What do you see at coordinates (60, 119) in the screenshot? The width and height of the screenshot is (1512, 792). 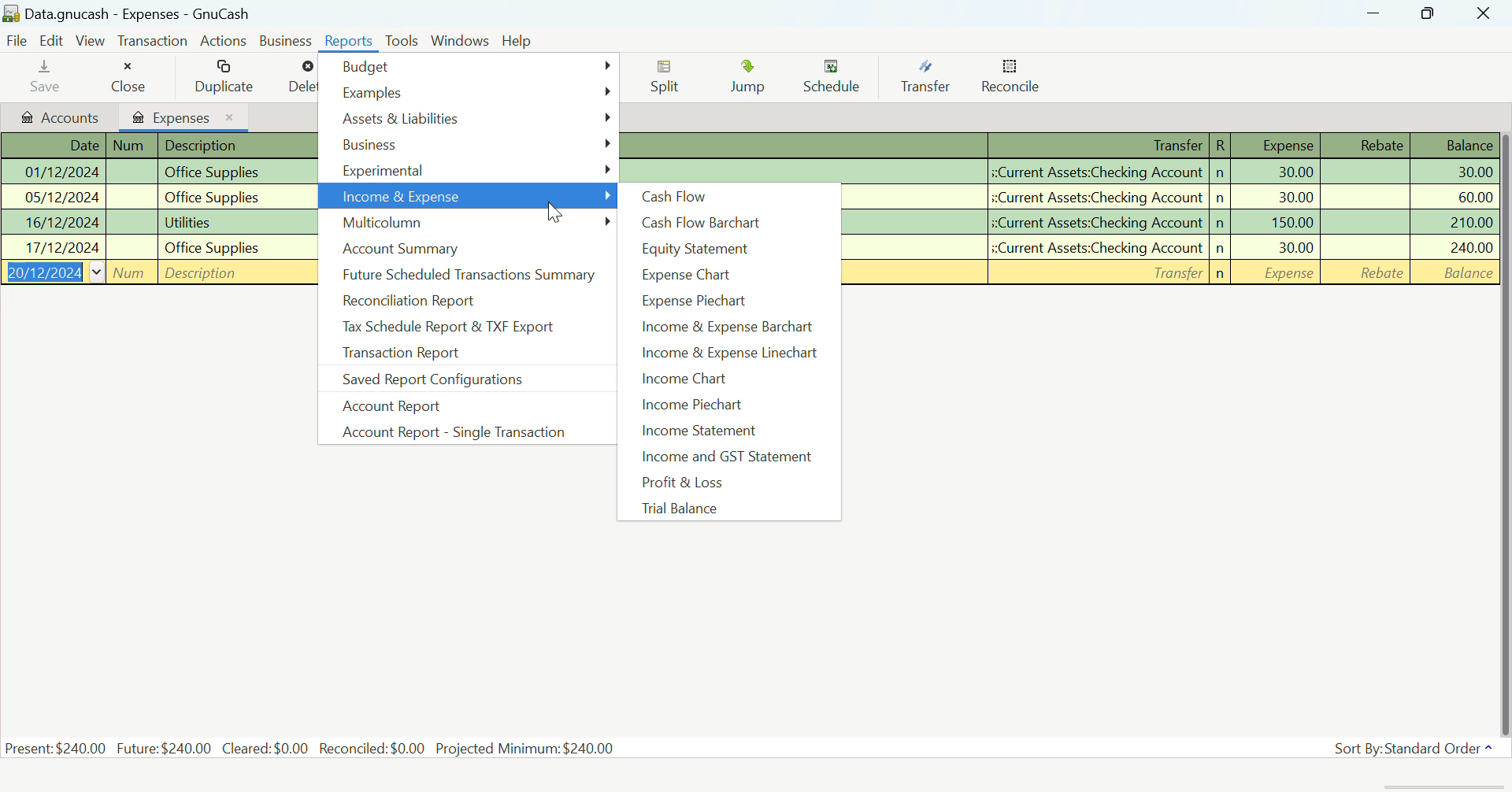 I see `Accounts Tab` at bounding box center [60, 119].